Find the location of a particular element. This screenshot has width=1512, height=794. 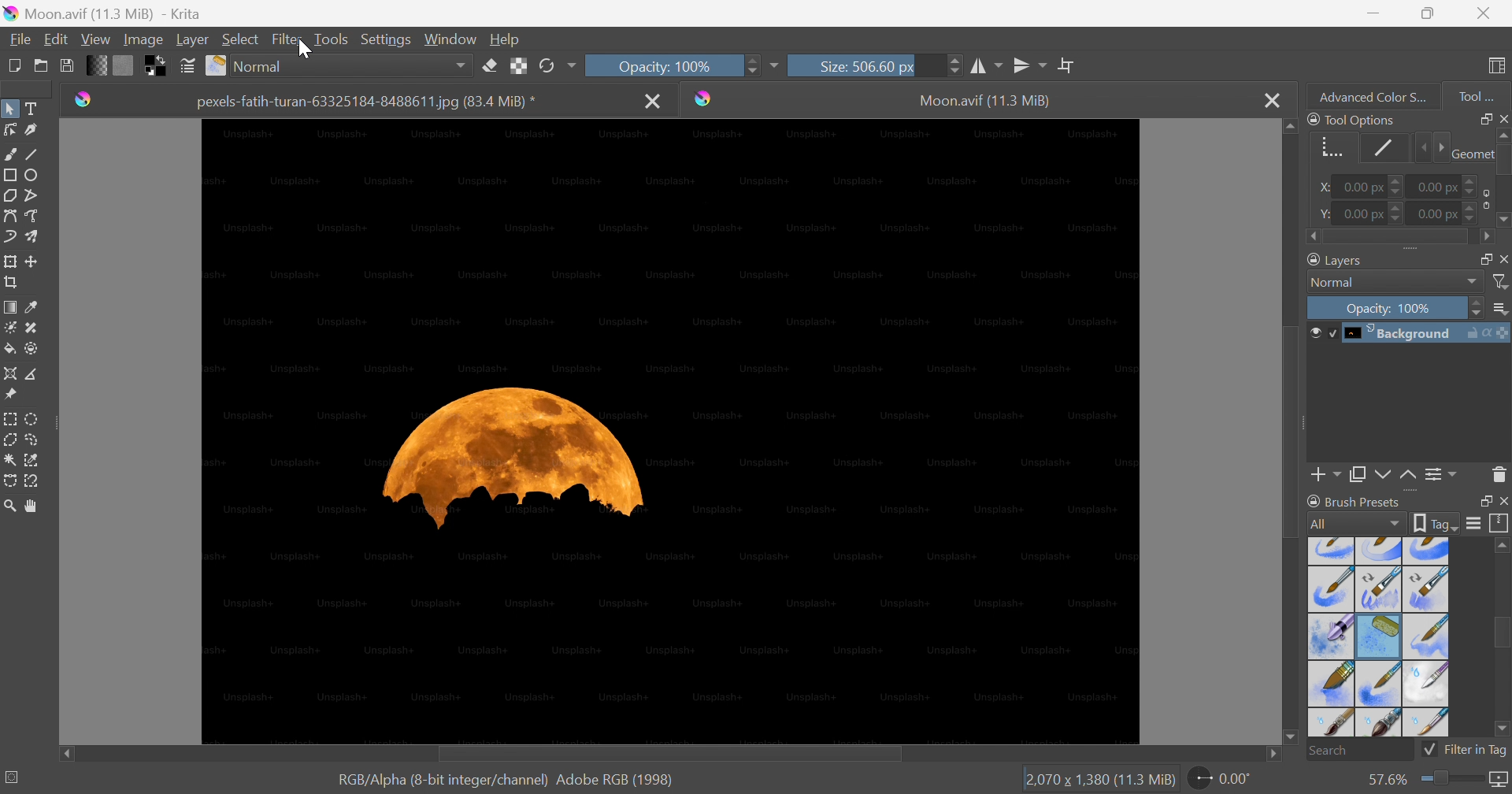

Geometry is located at coordinates (1470, 154).